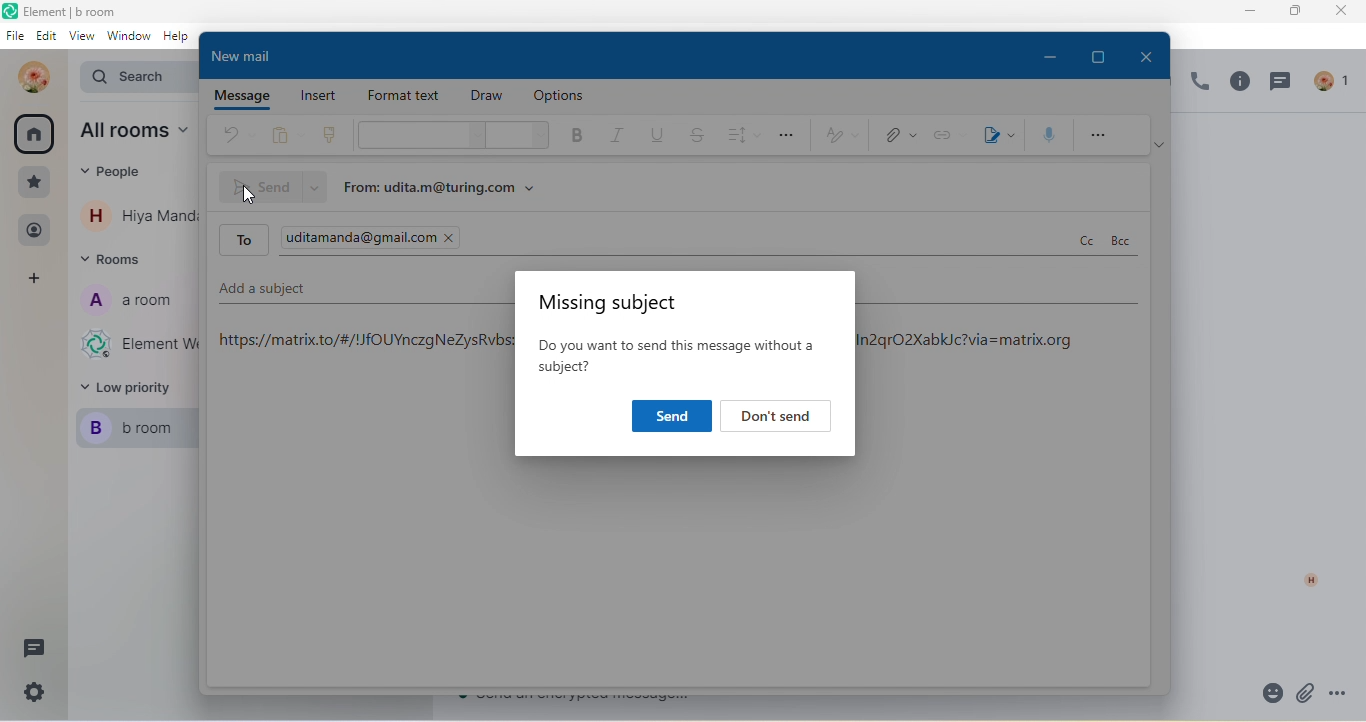  I want to click on missing subject, so click(609, 305).